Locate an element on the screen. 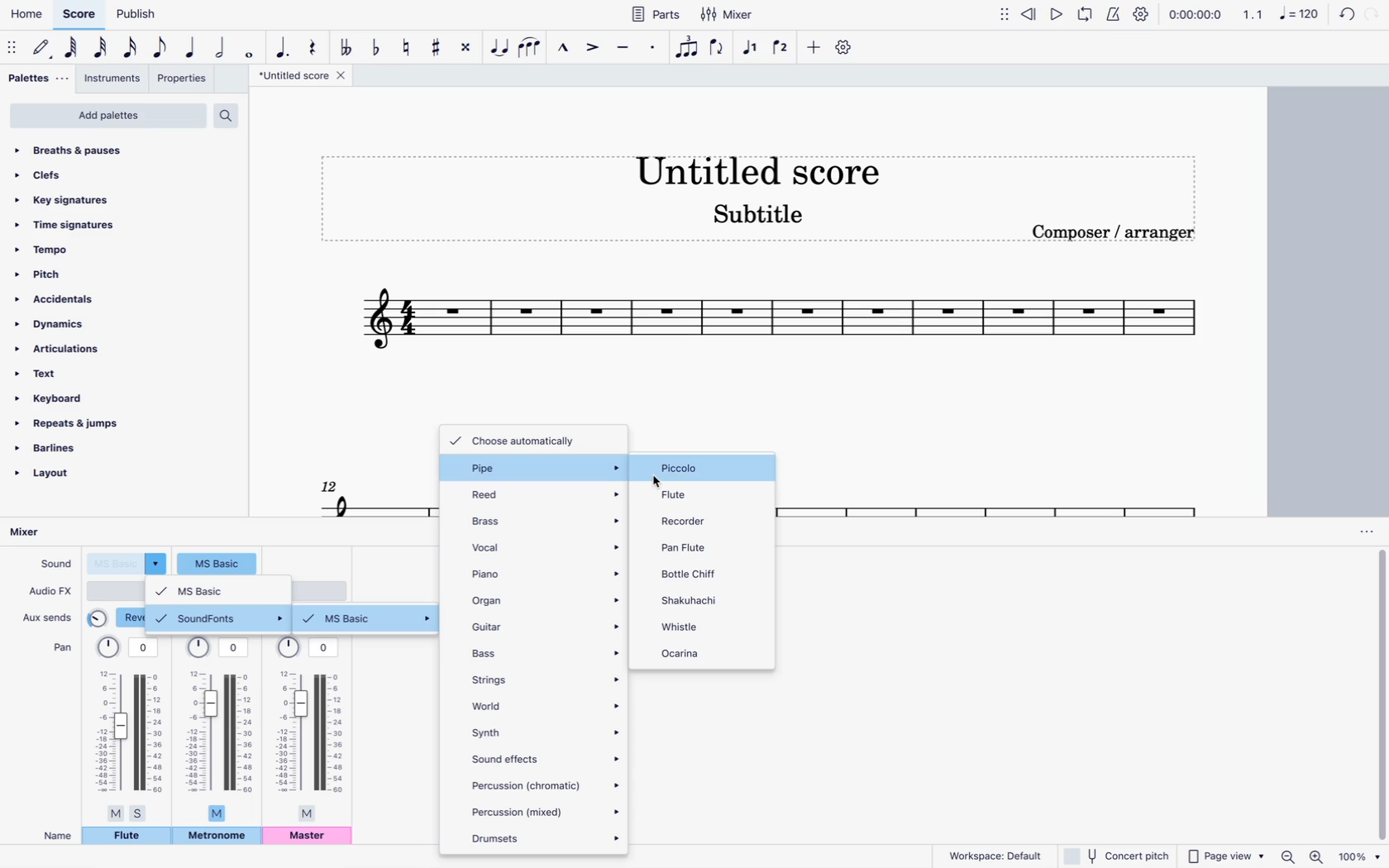  sound type is located at coordinates (128, 563).